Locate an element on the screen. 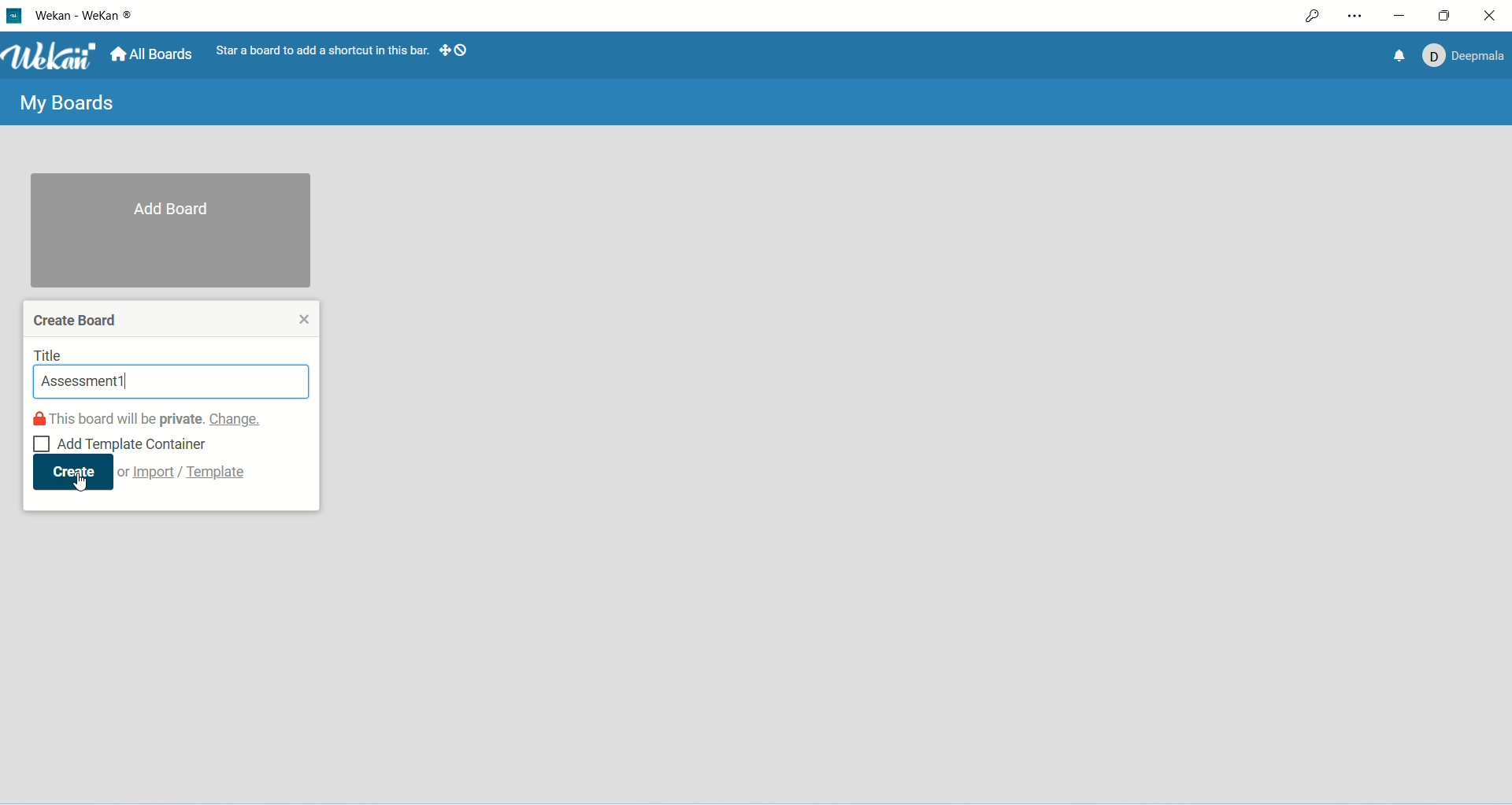 The width and height of the screenshot is (1512, 805). cursor is located at coordinates (80, 484).